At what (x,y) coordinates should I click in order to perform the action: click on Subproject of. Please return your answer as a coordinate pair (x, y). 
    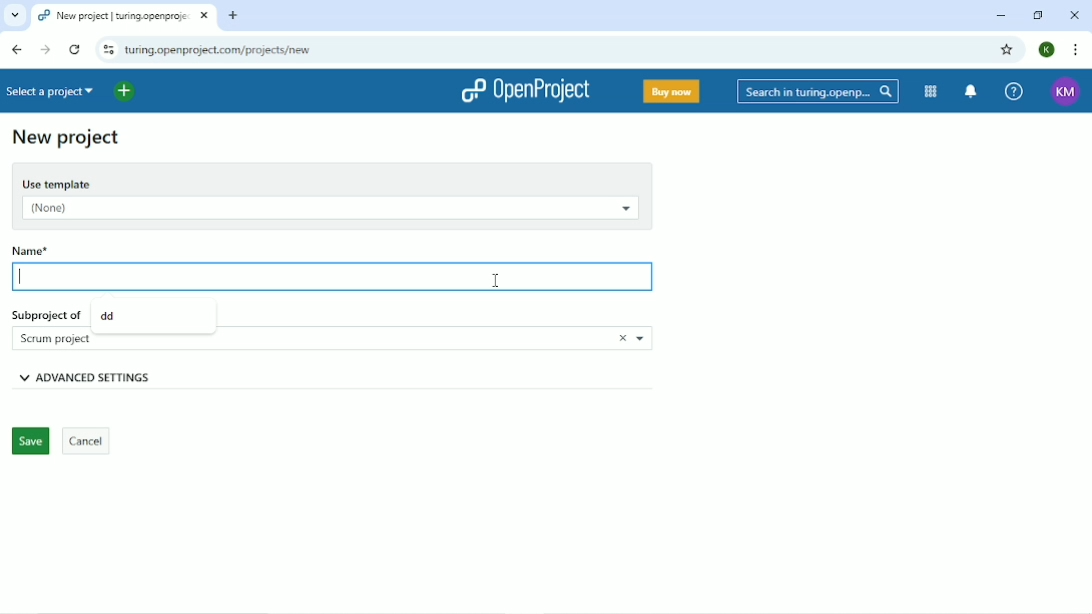
    Looking at the image, I should click on (46, 313).